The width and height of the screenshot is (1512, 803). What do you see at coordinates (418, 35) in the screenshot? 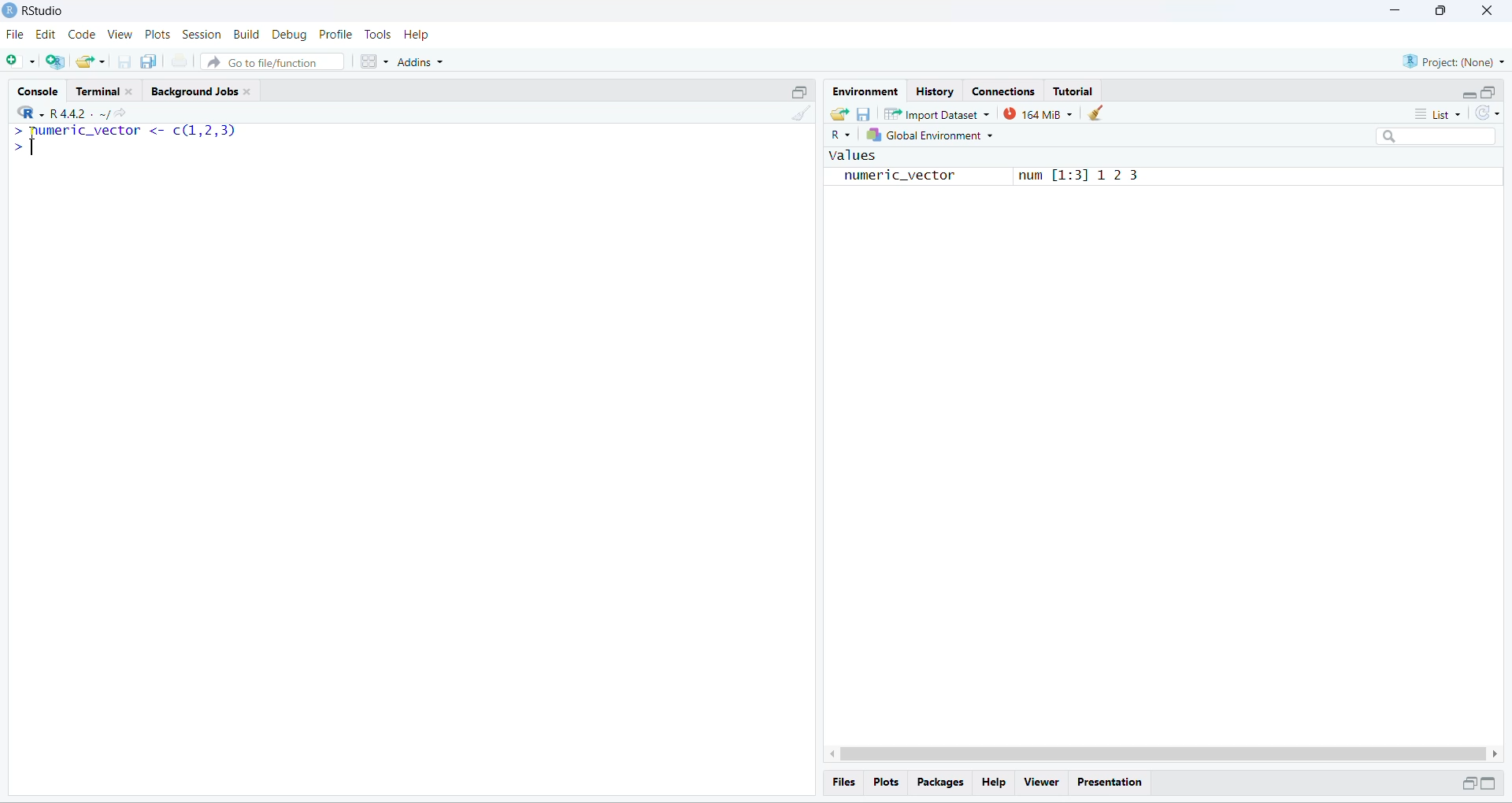
I see `Help` at bounding box center [418, 35].